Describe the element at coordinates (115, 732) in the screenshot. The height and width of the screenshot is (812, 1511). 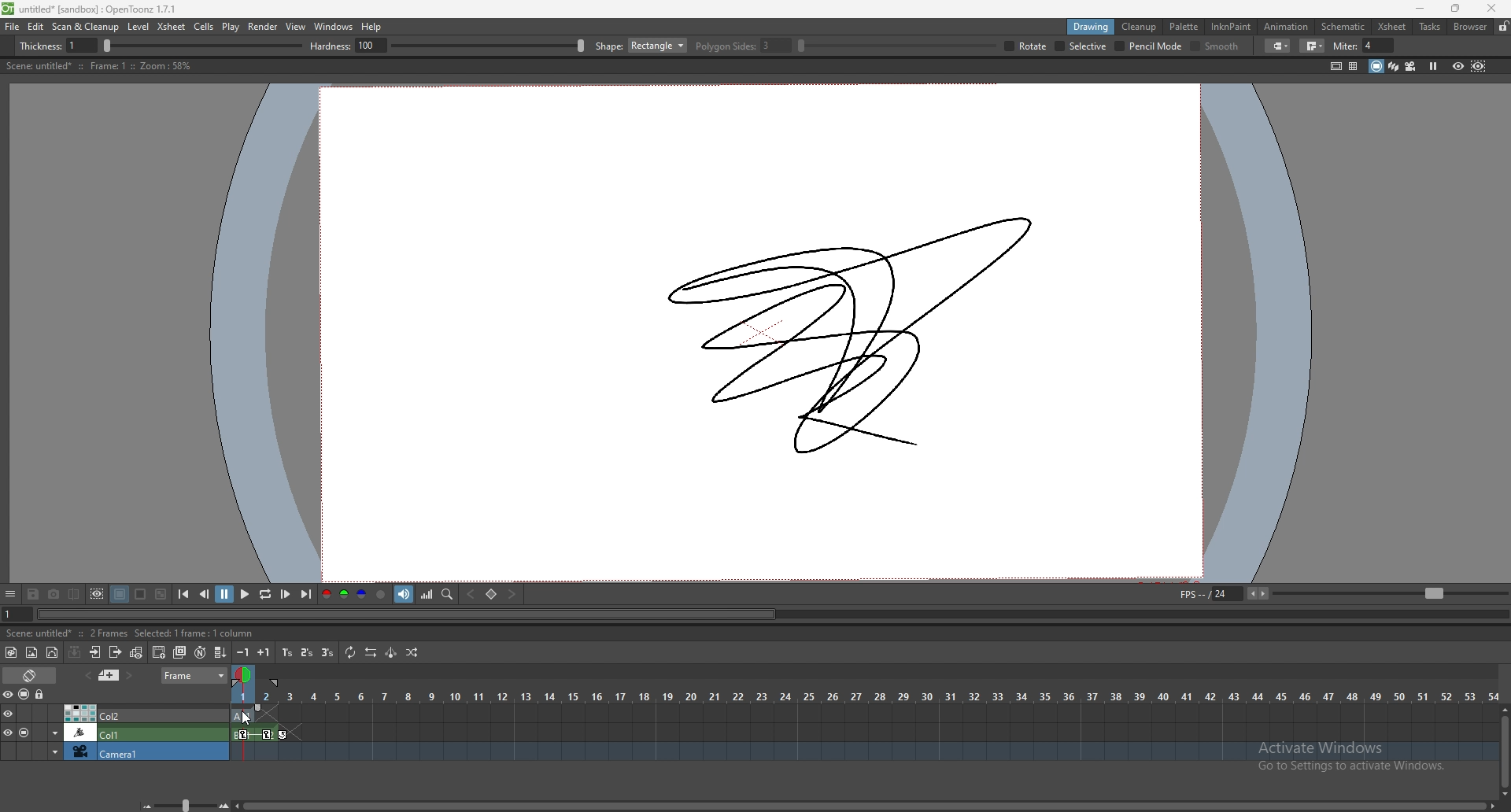
I see `column 1` at that location.